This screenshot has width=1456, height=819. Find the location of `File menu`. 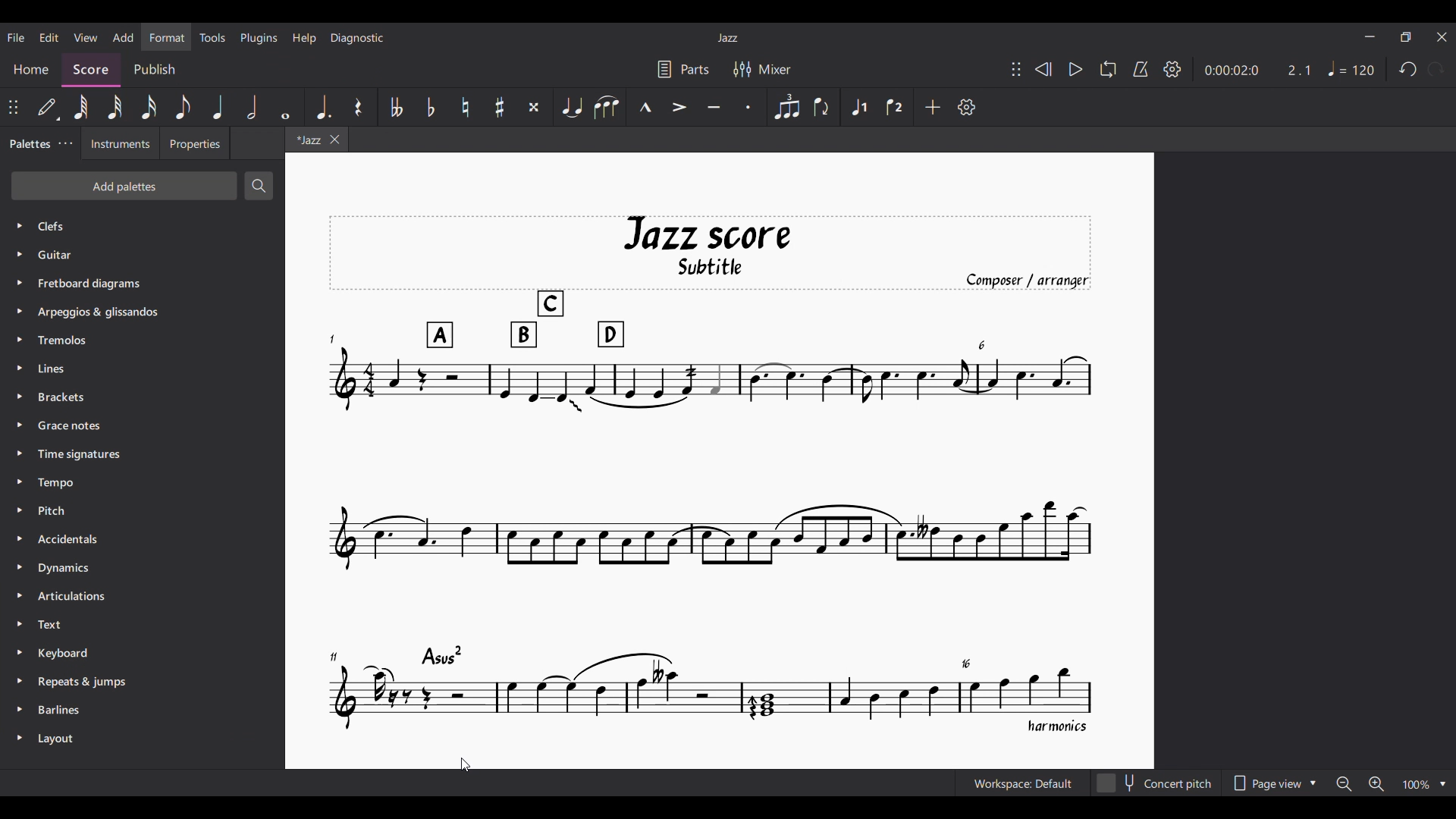

File menu is located at coordinates (15, 37).